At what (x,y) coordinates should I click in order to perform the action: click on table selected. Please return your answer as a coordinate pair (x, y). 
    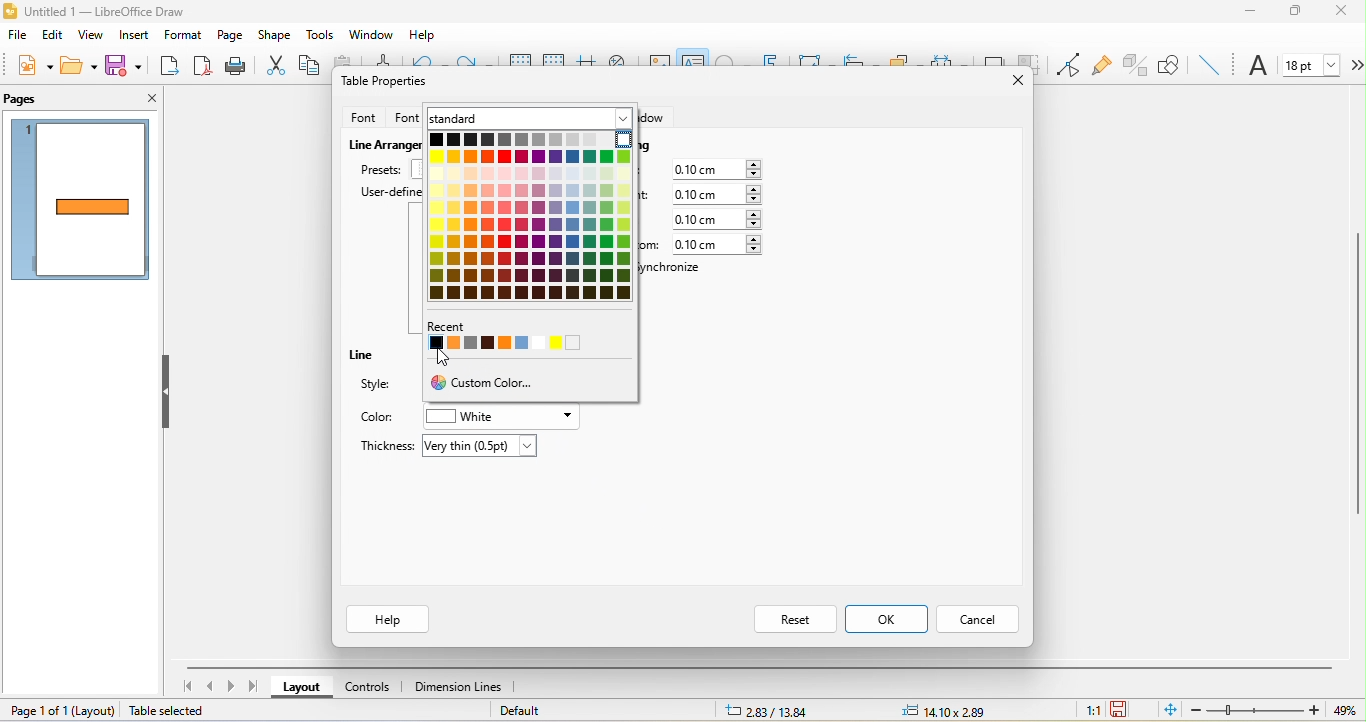
    Looking at the image, I should click on (170, 712).